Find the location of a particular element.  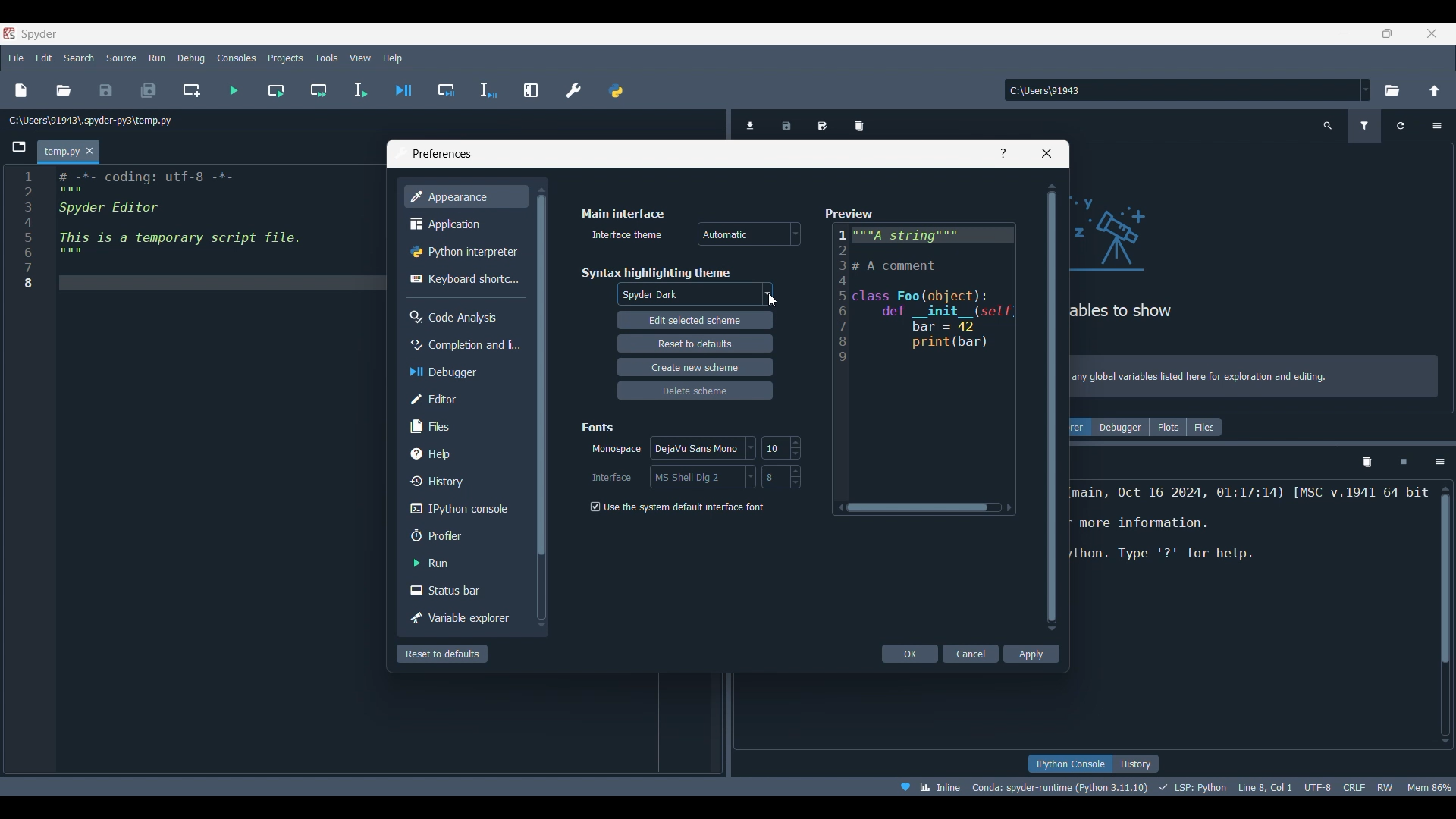

Remove all variables is located at coordinates (859, 123).